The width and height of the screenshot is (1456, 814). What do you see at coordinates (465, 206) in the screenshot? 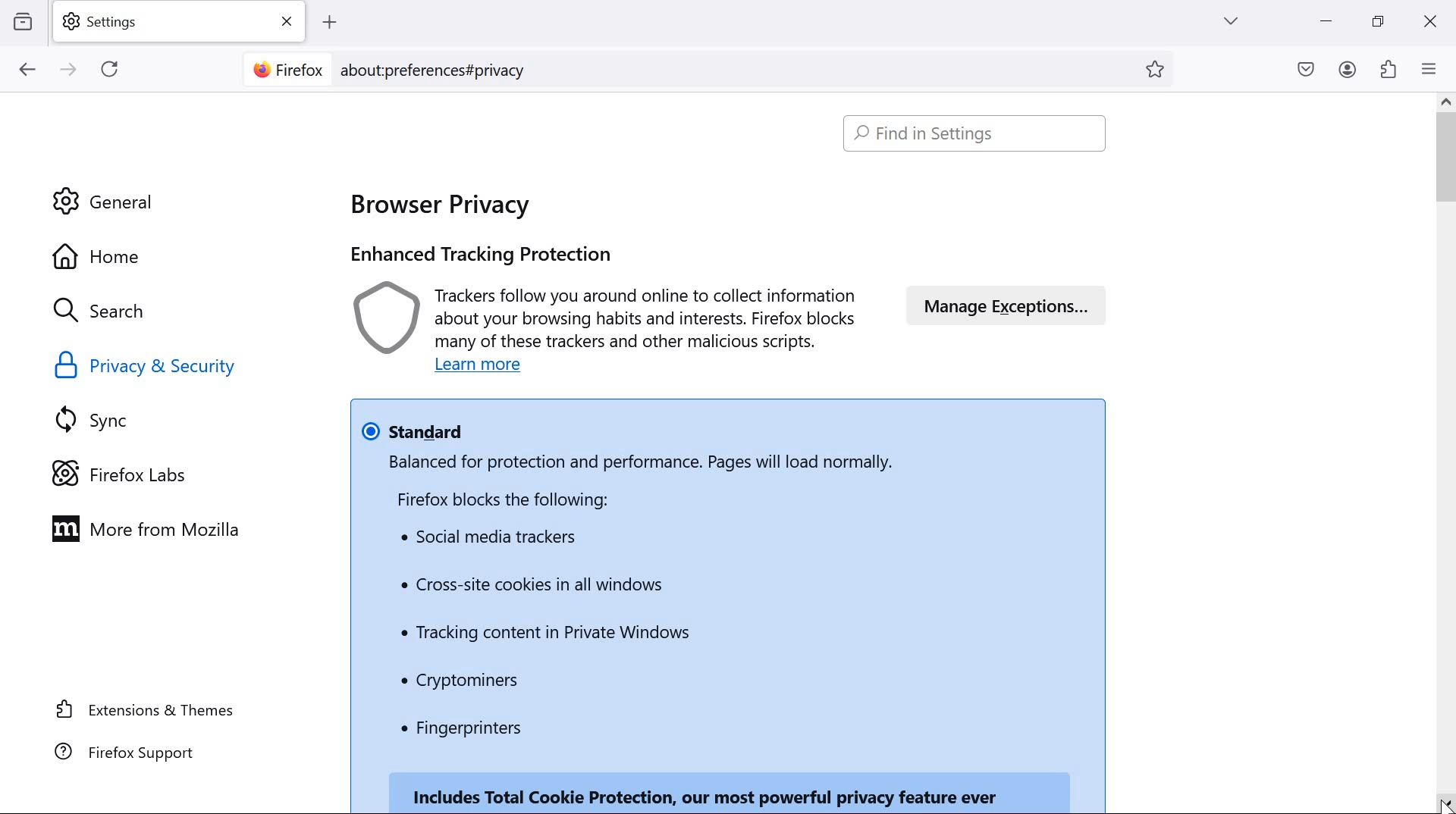
I see `browser privacy` at bounding box center [465, 206].